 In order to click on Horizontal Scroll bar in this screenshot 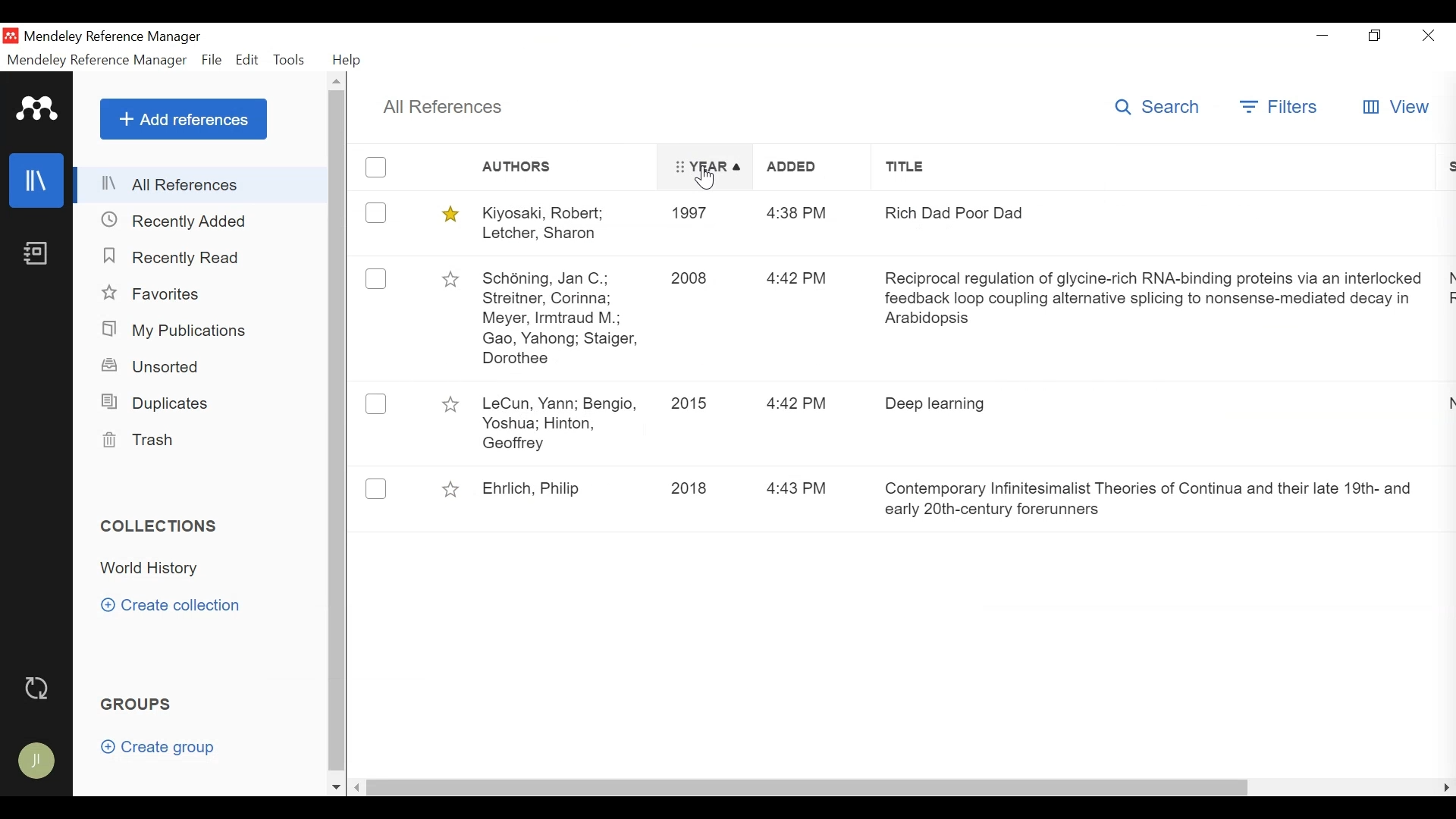, I will do `click(902, 786)`.